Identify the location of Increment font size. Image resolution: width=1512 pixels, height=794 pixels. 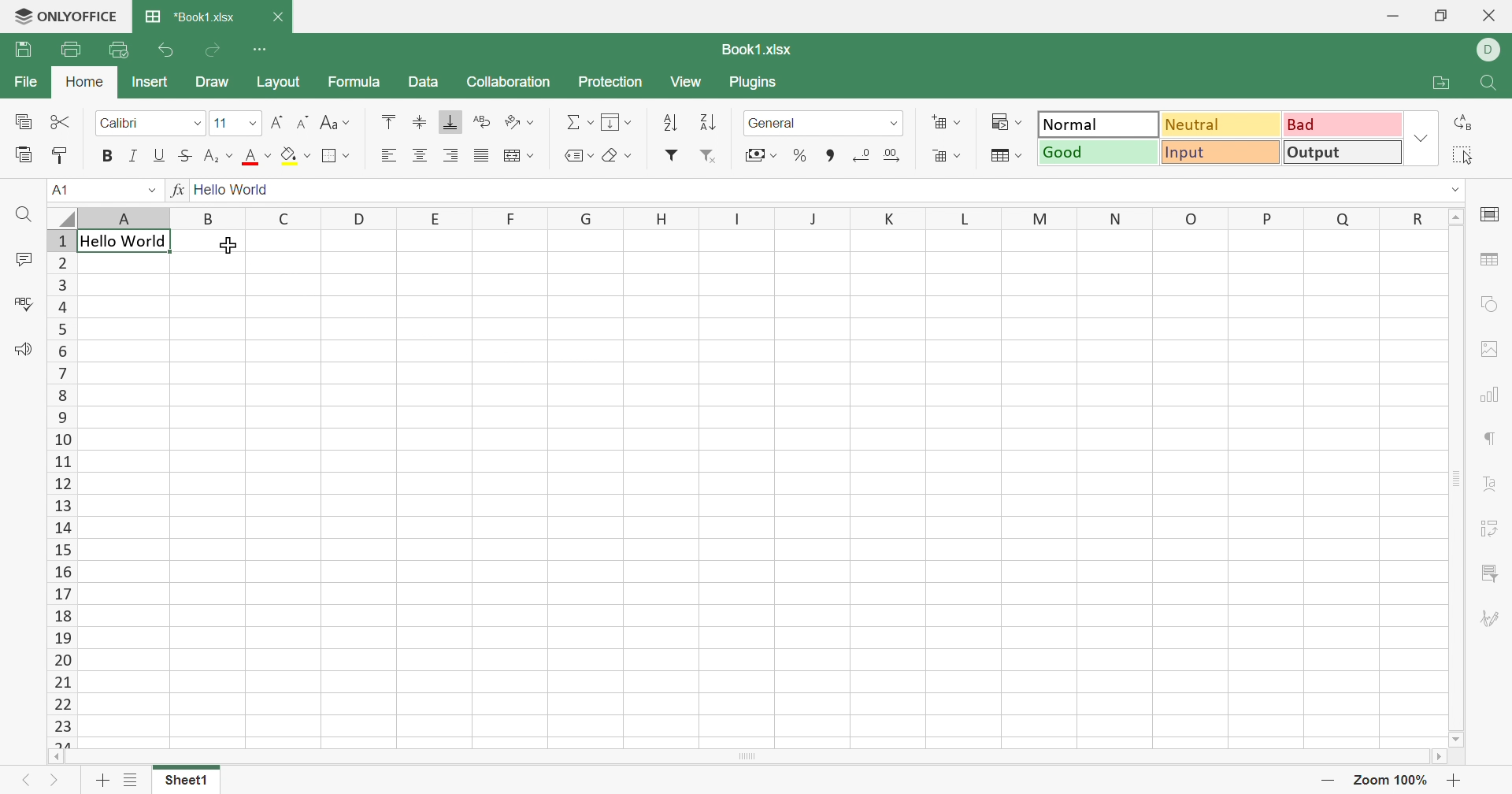
(279, 122).